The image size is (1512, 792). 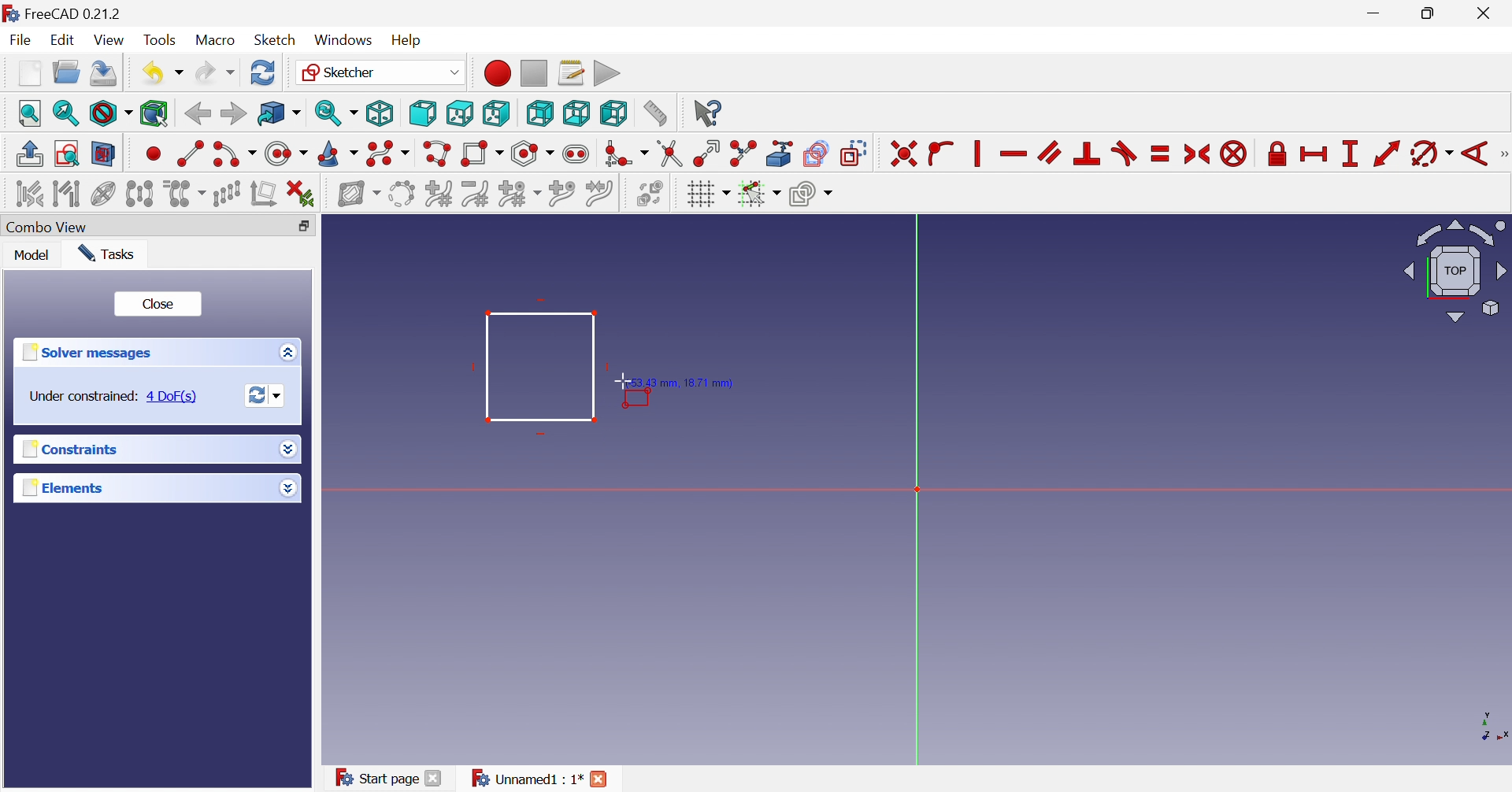 What do you see at coordinates (684, 383) in the screenshot?
I see `(-53.43 mm, 18.71 mm)` at bounding box center [684, 383].